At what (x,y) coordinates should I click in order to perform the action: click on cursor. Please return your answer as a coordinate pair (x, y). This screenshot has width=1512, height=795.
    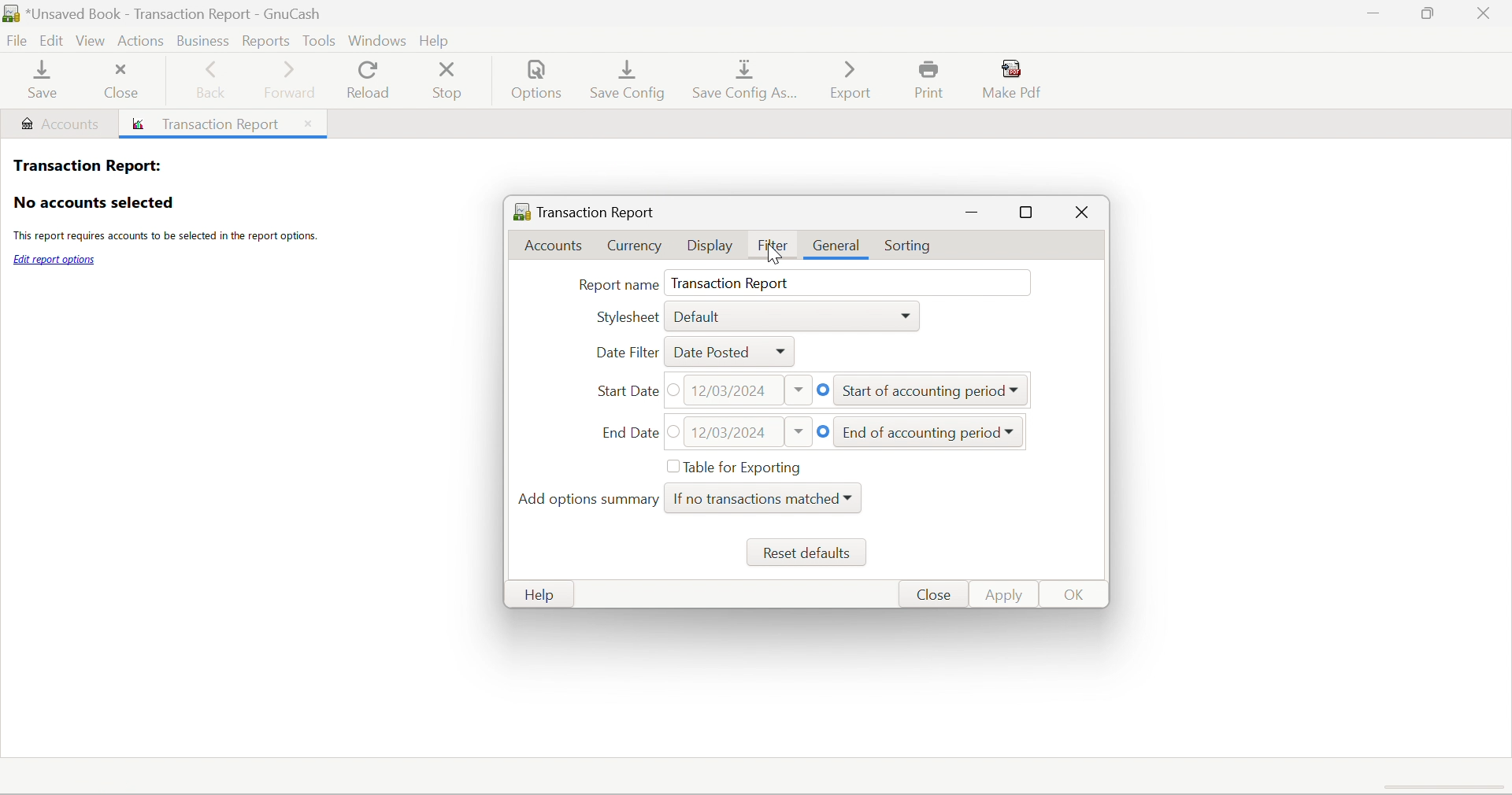
    Looking at the image, I should click on (778, 256).